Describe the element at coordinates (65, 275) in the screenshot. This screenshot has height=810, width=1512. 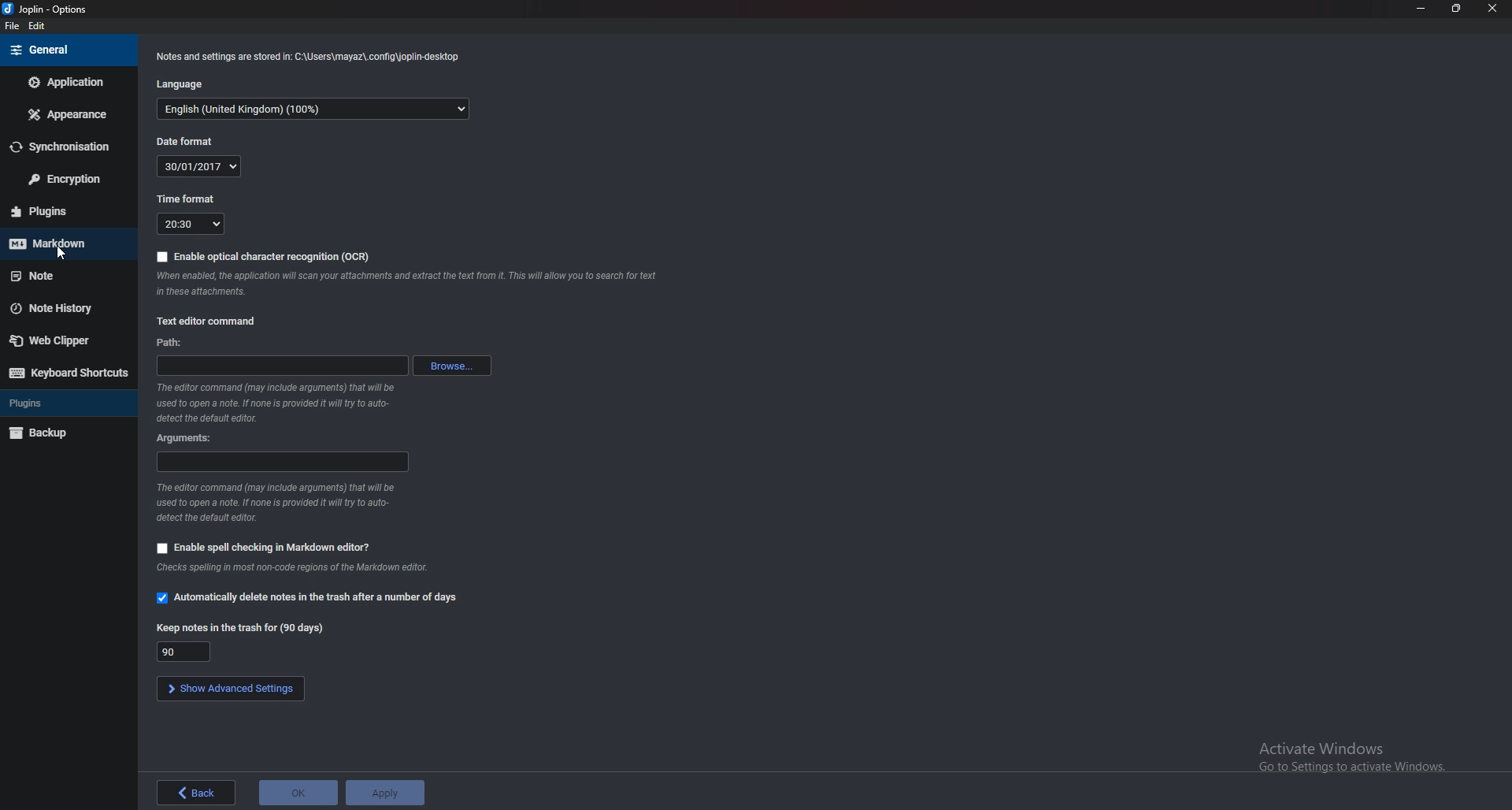
I see `note` at that location.